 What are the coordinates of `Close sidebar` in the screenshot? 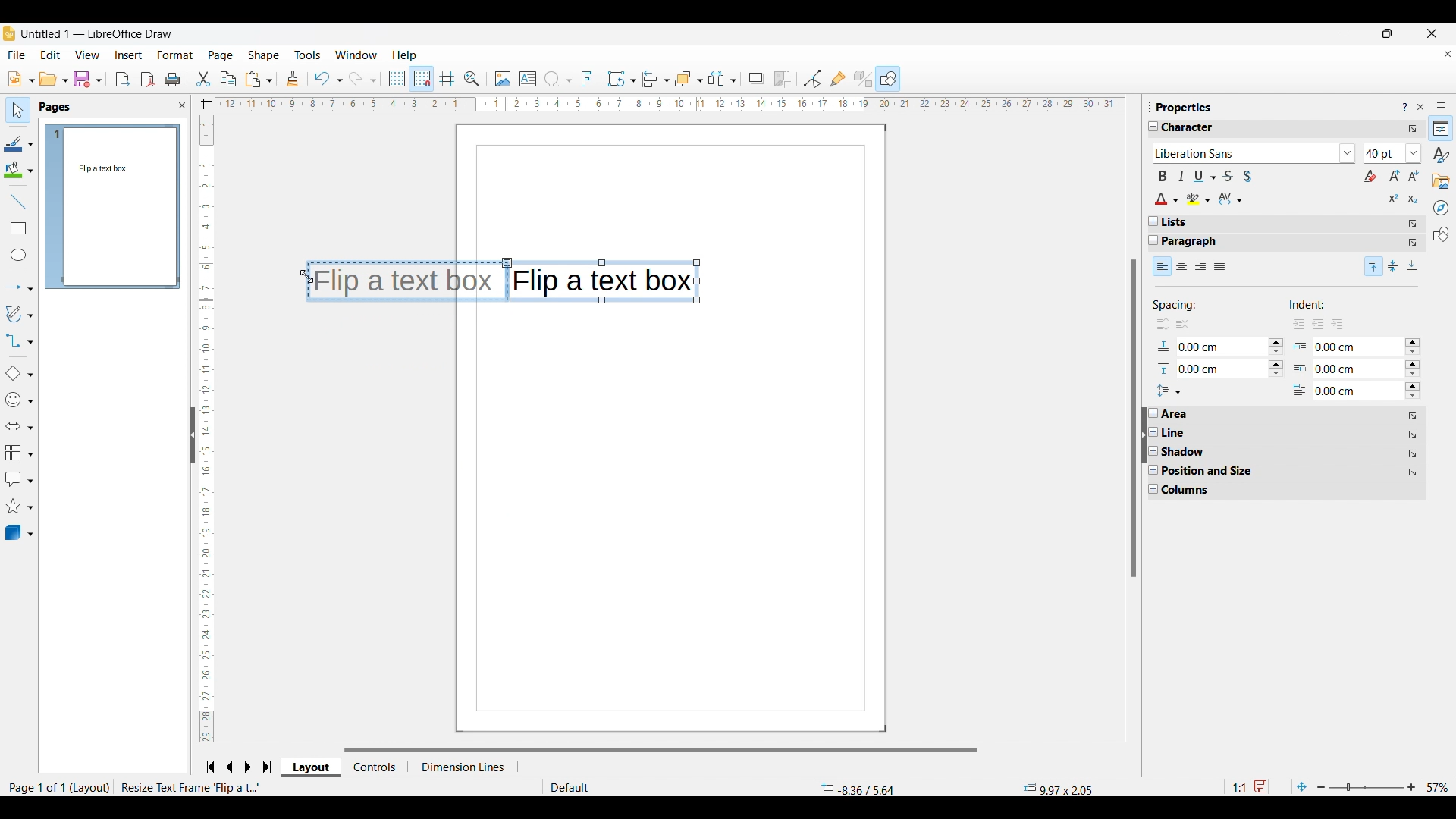 It's located at (183, 105).